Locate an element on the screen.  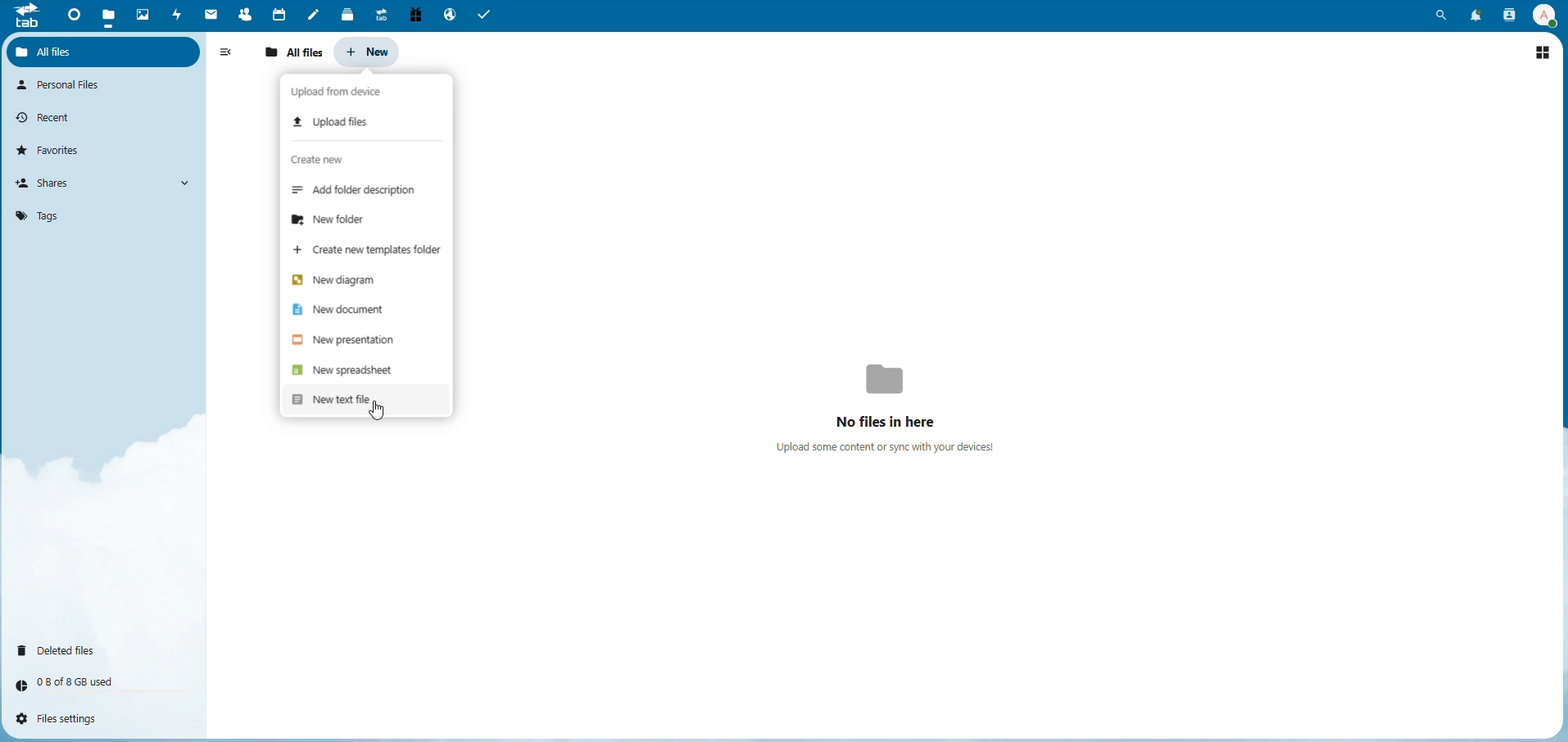
new is located at coordinates (323, 162).